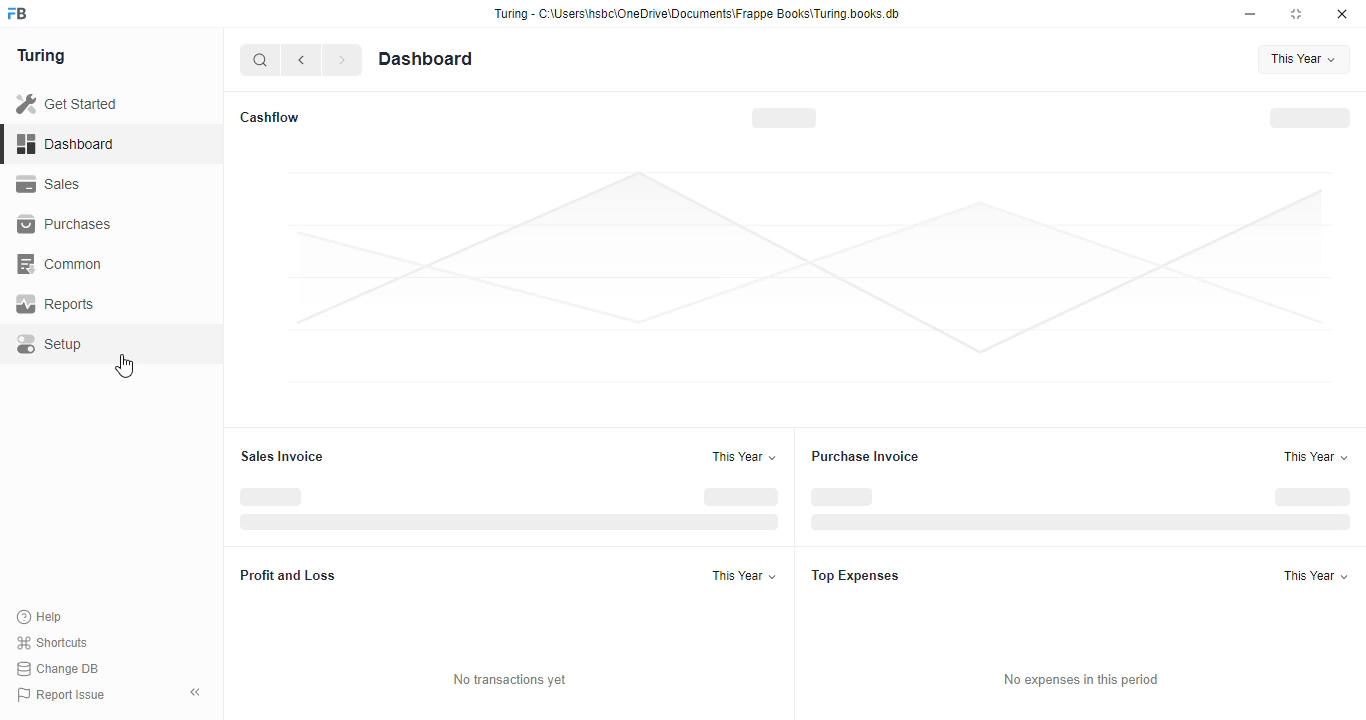 This screenshot has width=1366, height=720. What do you see at coordinates (260, 60) in the screenshot?
I see `search` at bounding box center [260, 60].